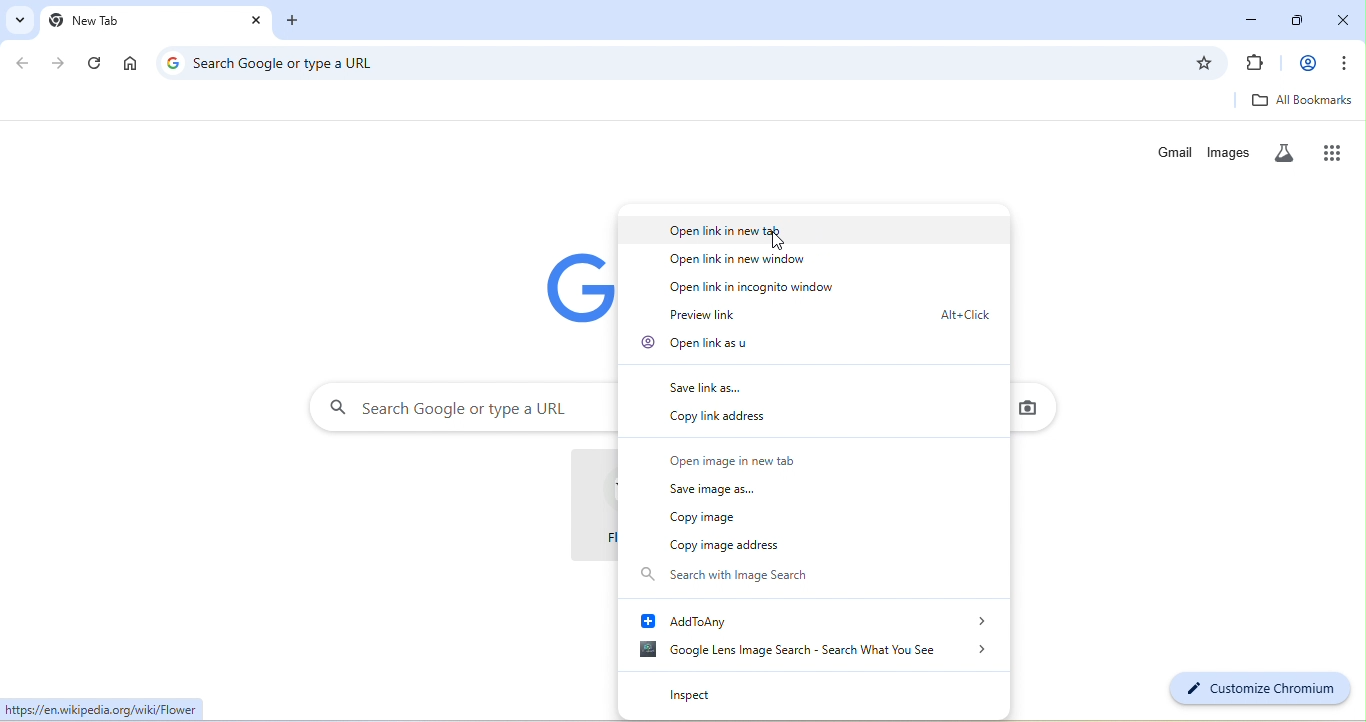 This screenshot has width=1366, height=722. What do you see at coordinates (811, 620) in the screenshot?
I see `add to any` at bounding box center [811, 620].